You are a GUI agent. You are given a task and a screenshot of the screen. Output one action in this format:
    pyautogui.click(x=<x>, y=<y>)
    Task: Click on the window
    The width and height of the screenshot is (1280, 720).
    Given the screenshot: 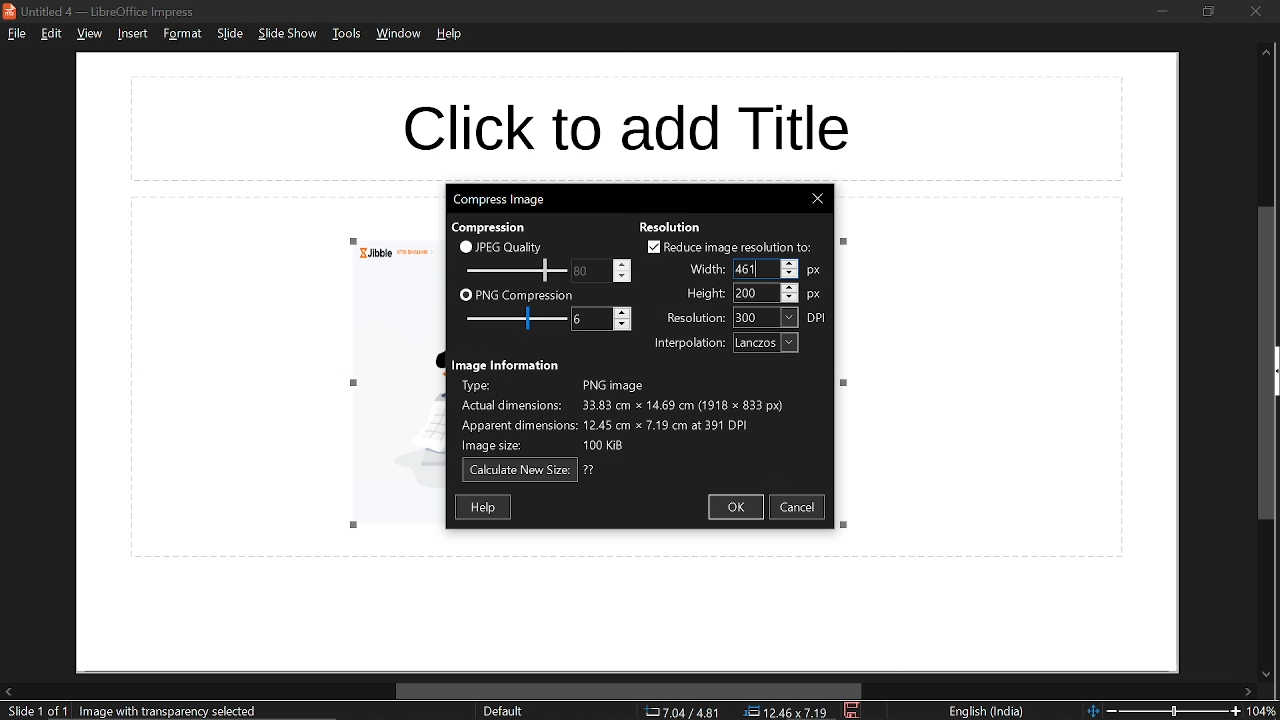 What is the action you would take?
    pyautogui.click(x=397, y=36)
    